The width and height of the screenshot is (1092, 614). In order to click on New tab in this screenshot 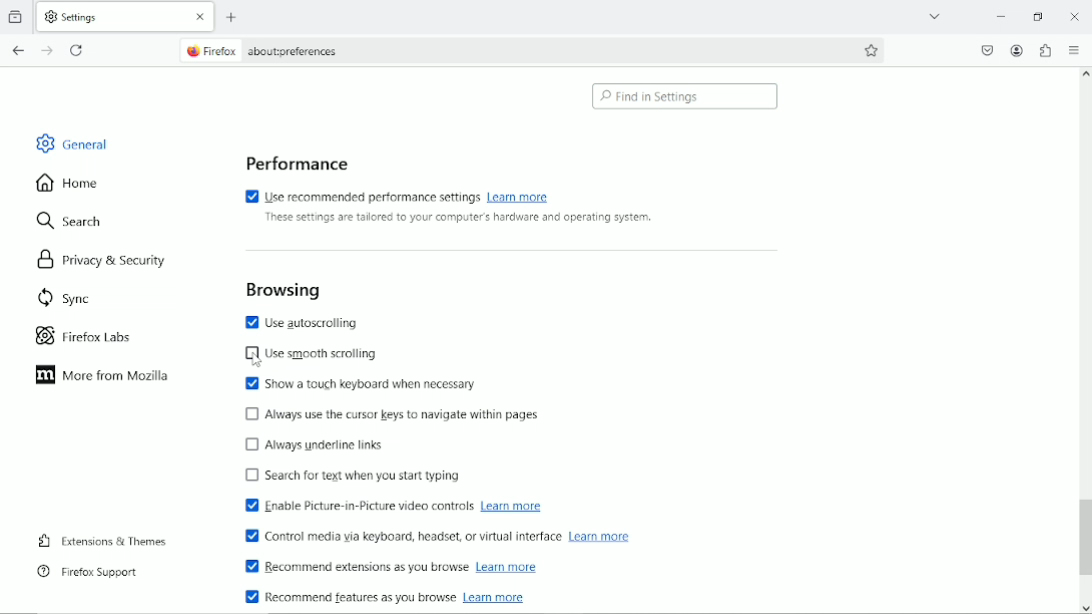, I will do `click(232, 17)`.